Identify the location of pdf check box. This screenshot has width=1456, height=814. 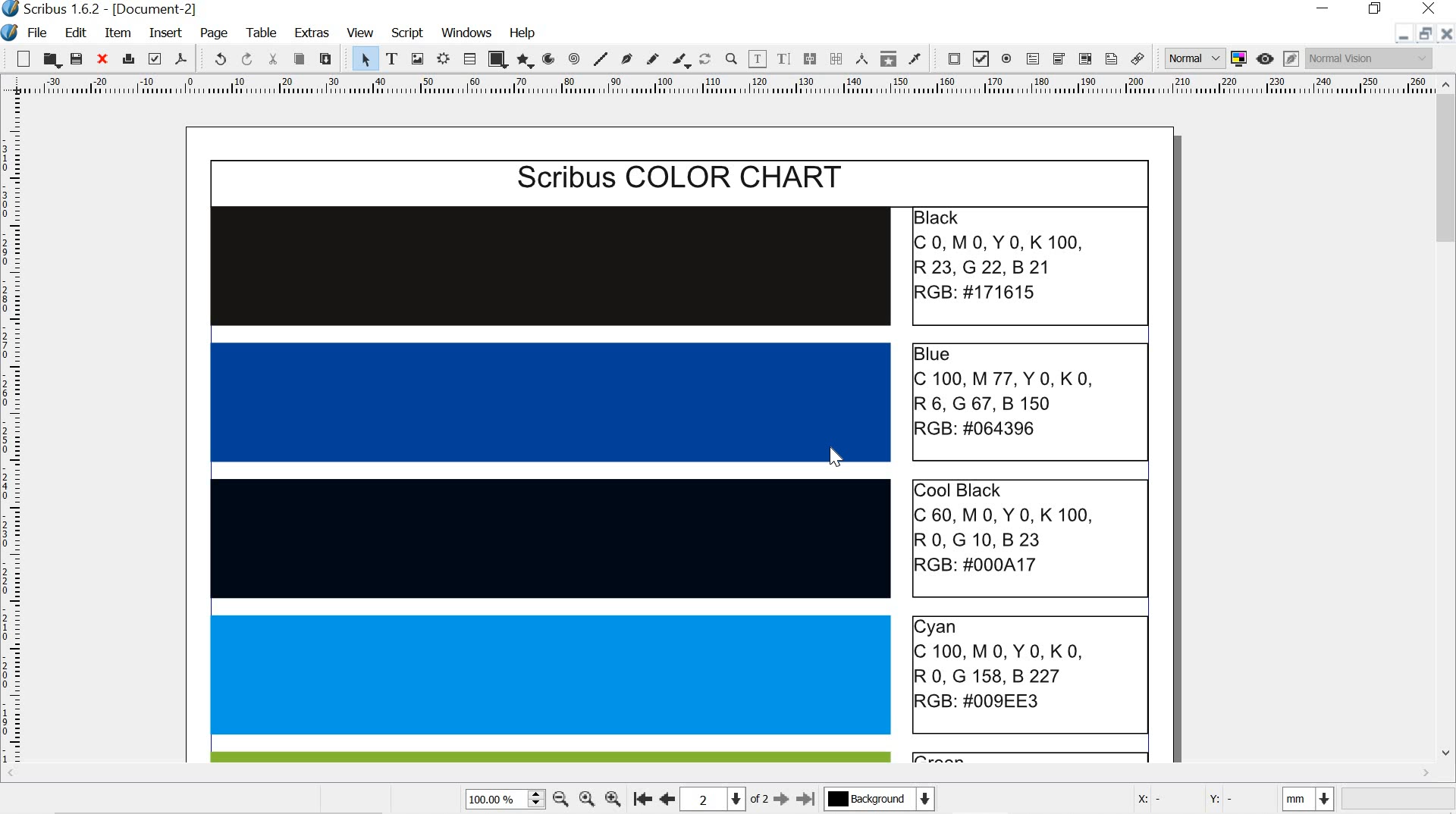
(981, 60).